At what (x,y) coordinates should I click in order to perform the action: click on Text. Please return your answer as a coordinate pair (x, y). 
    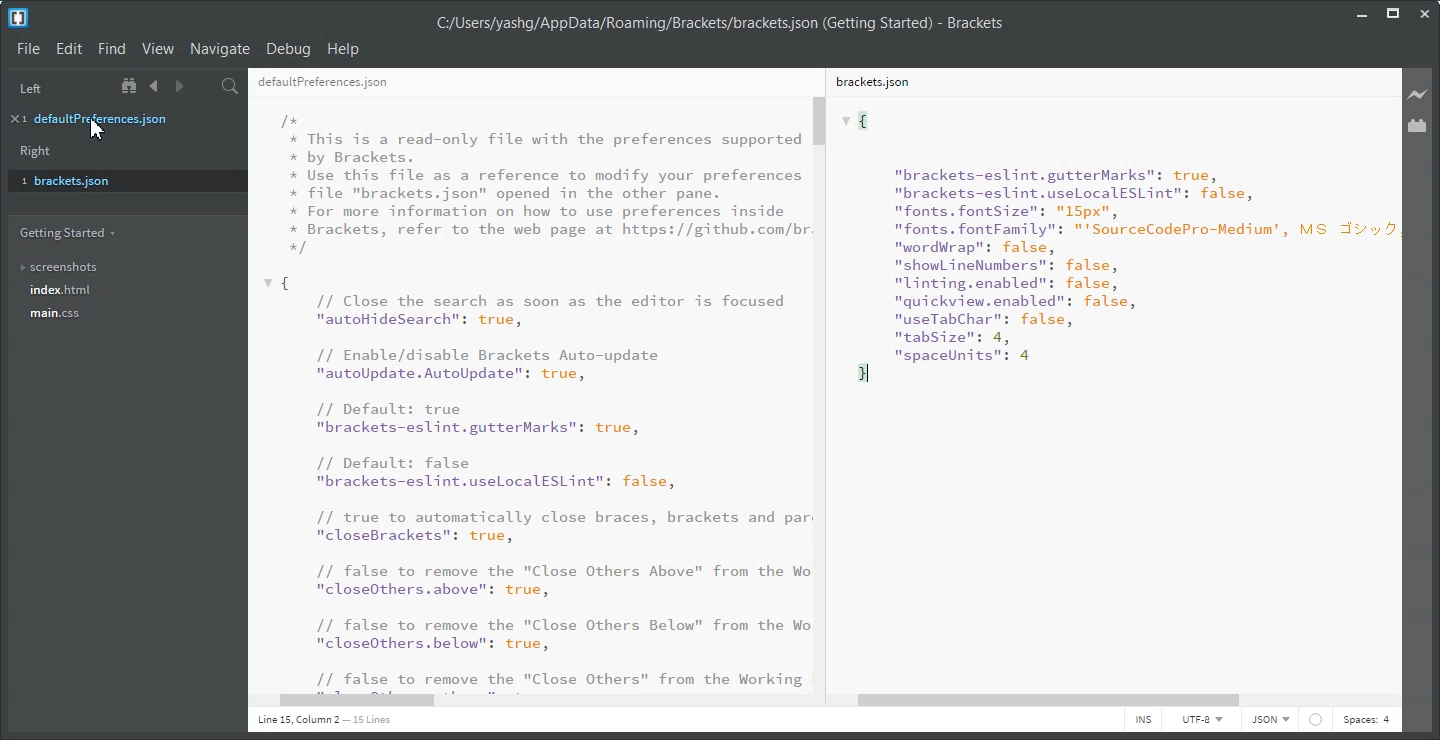
    Looking at the image, I should click on (526, 393).